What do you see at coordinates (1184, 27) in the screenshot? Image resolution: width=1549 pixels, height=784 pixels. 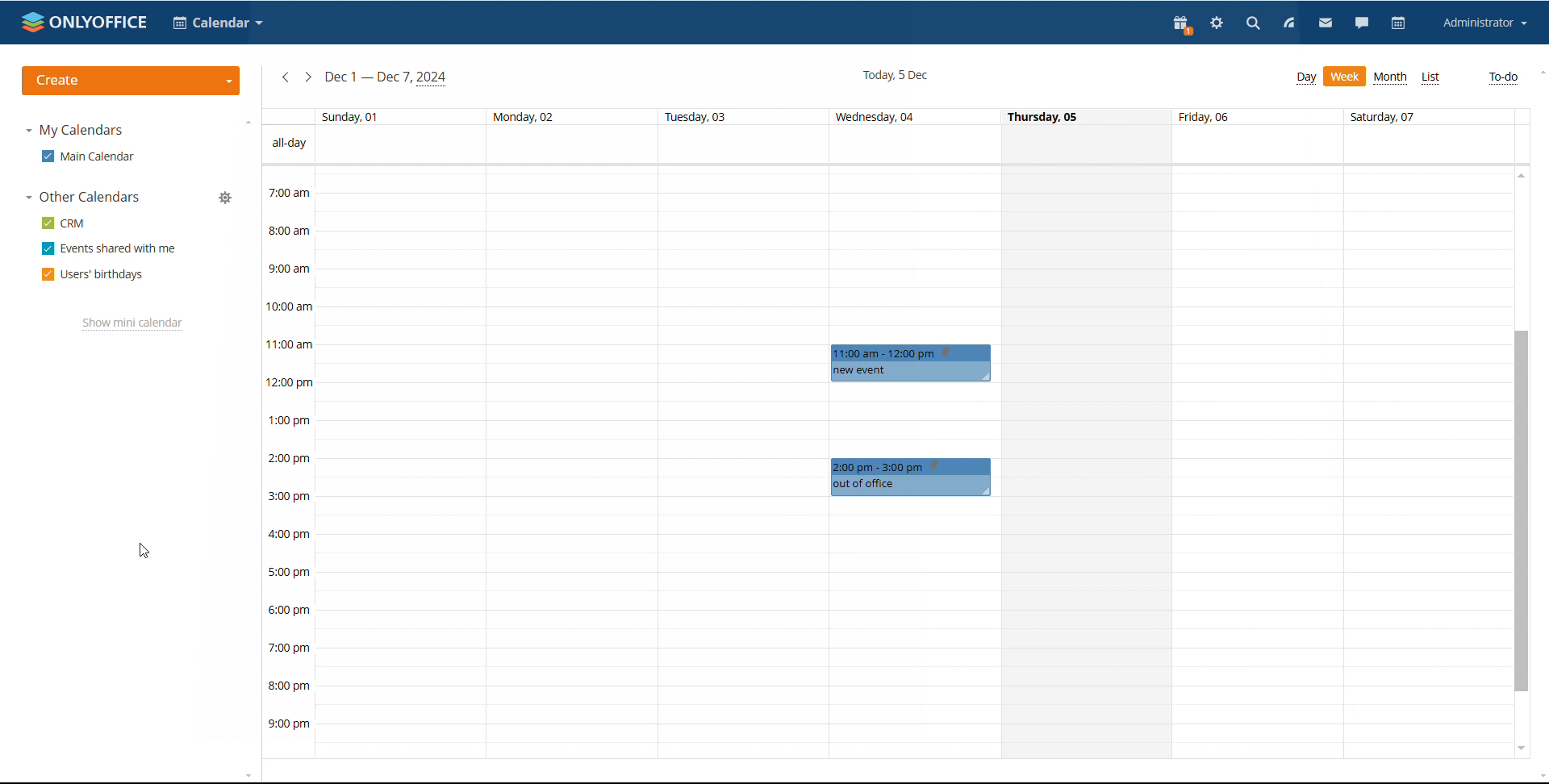 I see `present` at bounding box center [1184, 27].